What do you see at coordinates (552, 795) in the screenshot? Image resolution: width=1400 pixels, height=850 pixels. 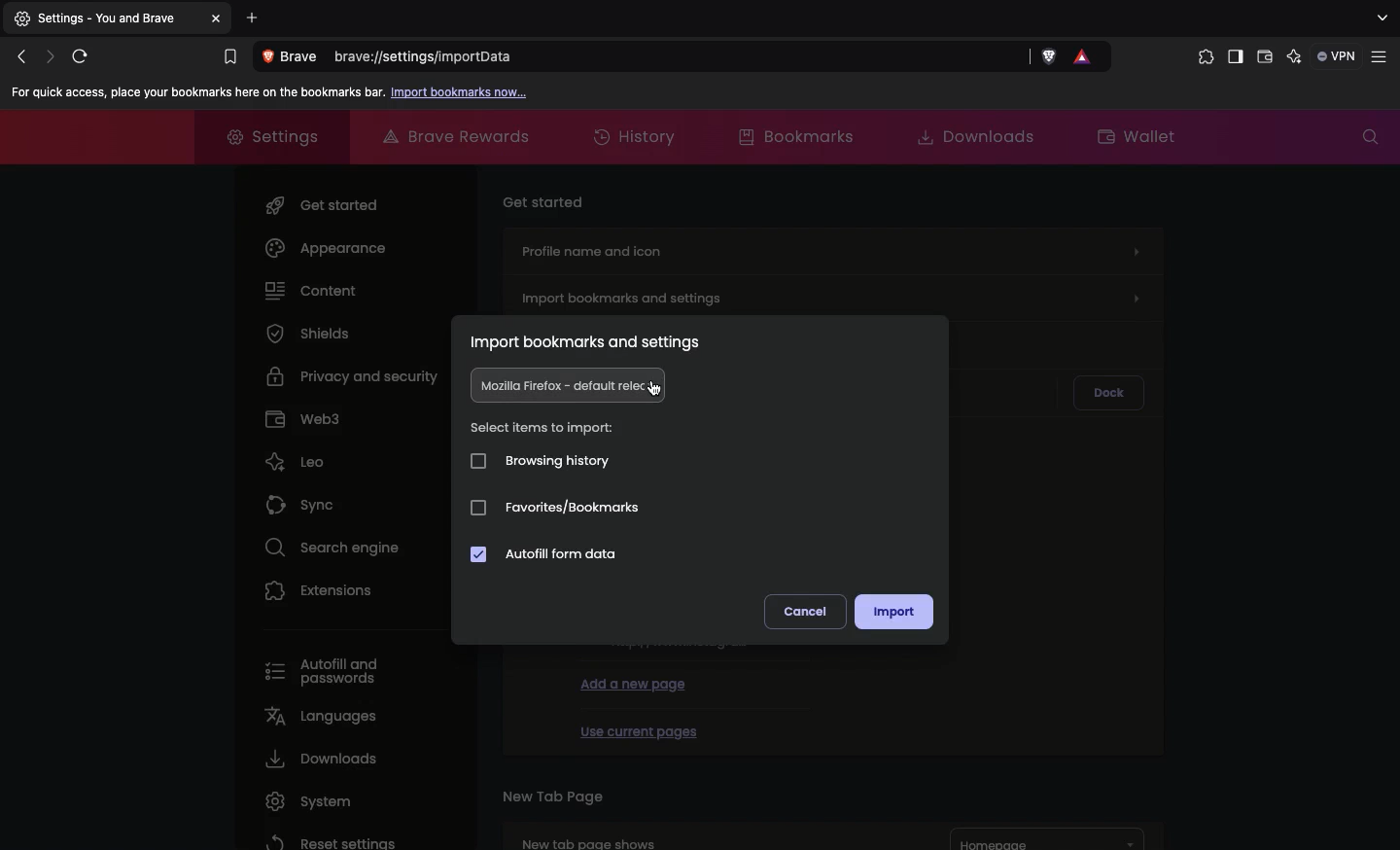 I see `New tab page` at bounding box center [552, 795].